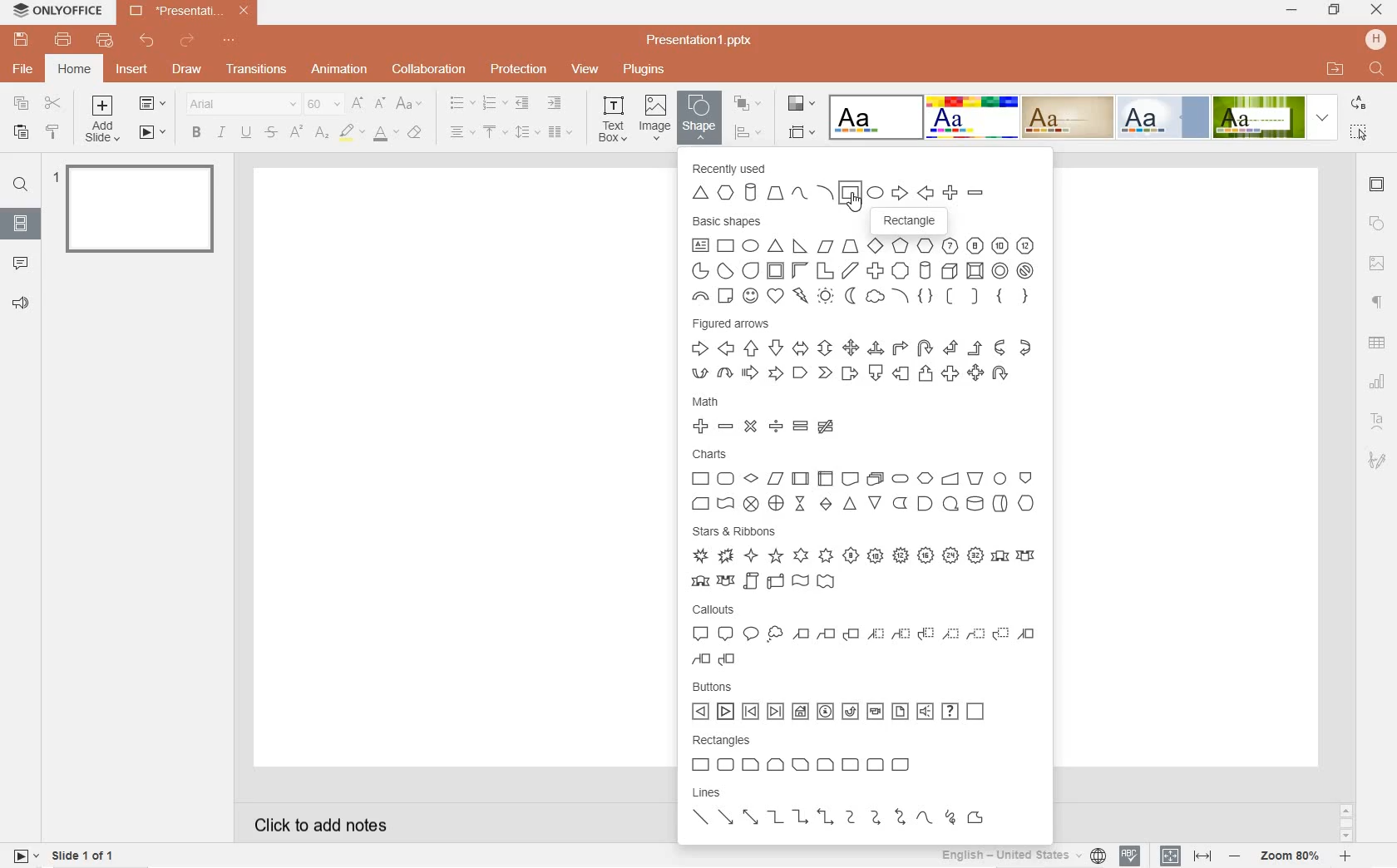 The image size is (1397, 868). Describe the element at coordinates (775, 348) in the screenshot. I see `Down Arrow` at that location.